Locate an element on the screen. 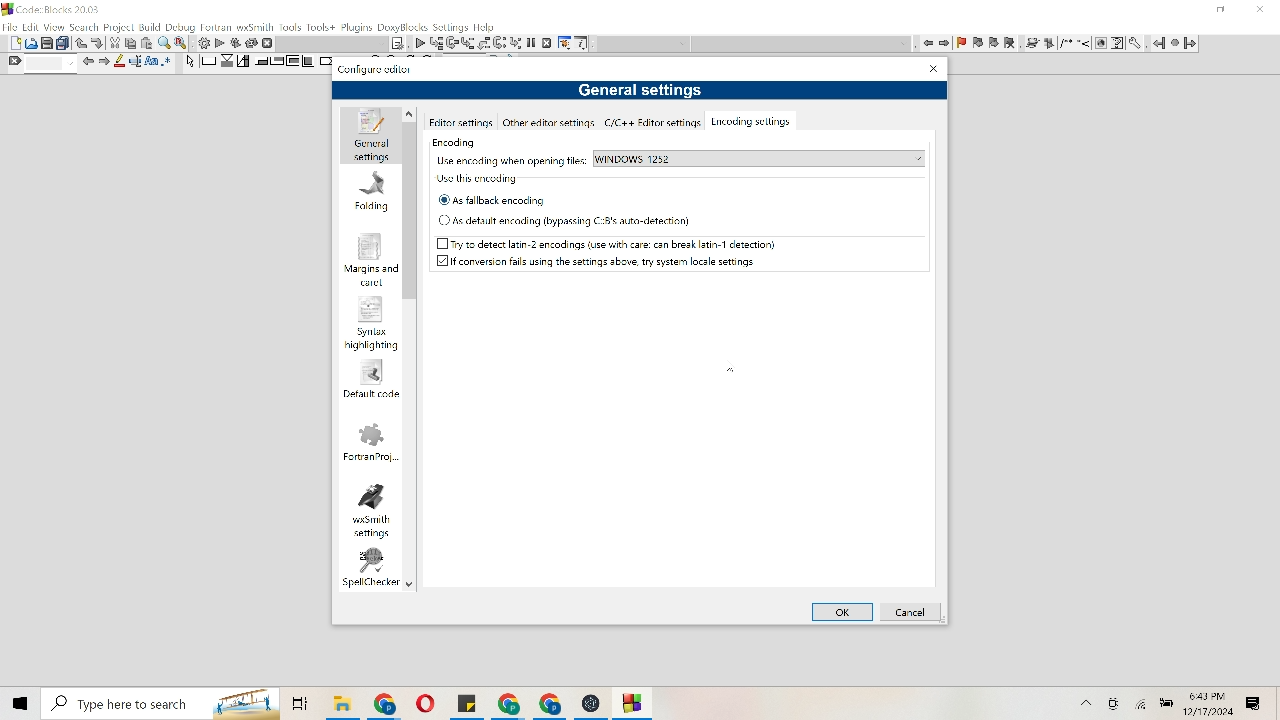  Plugins is located at coordinates (356, 27).